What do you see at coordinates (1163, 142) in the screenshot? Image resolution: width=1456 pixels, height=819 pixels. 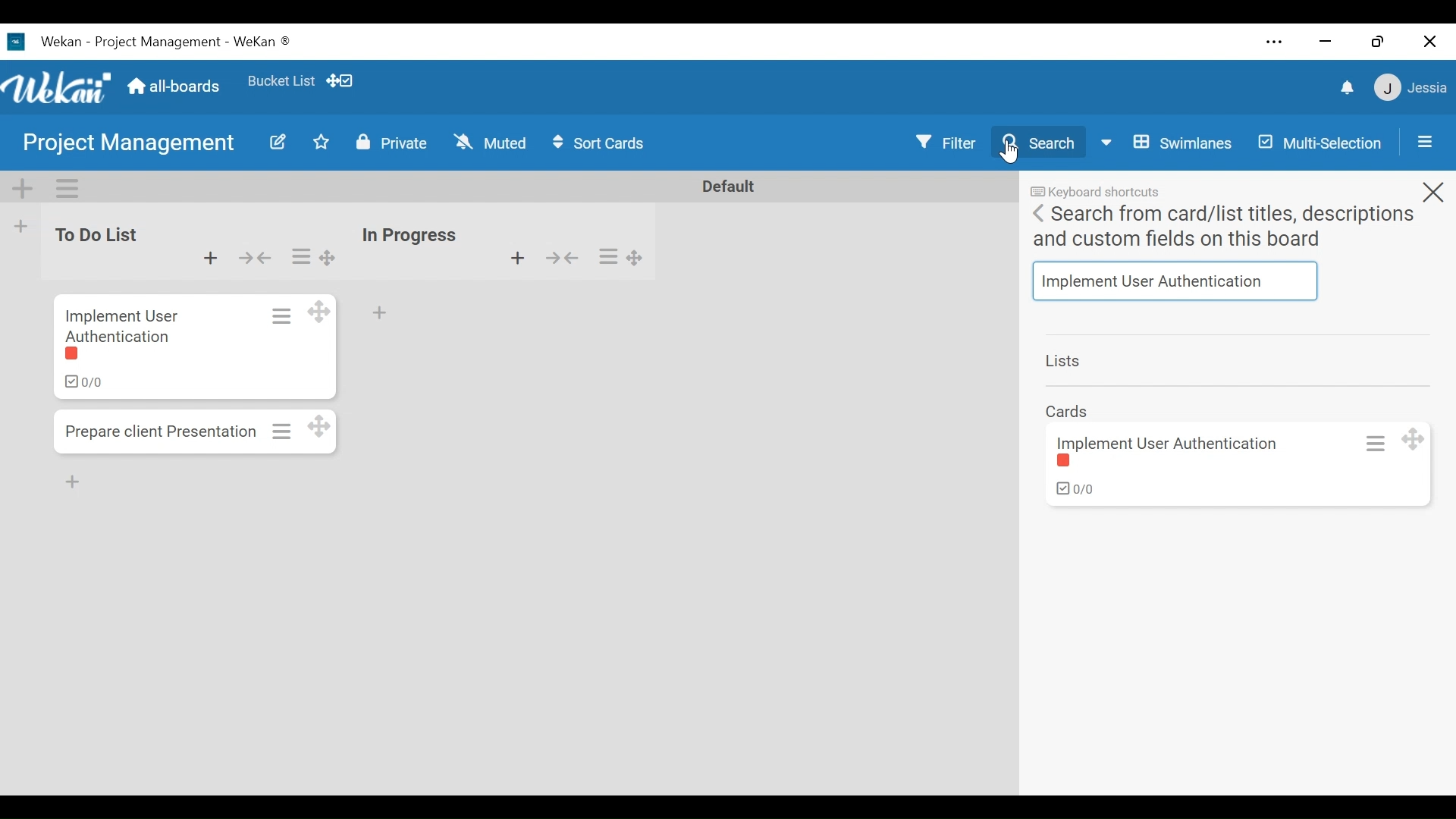 I see `Board View` at bounding box center [1163, 142].